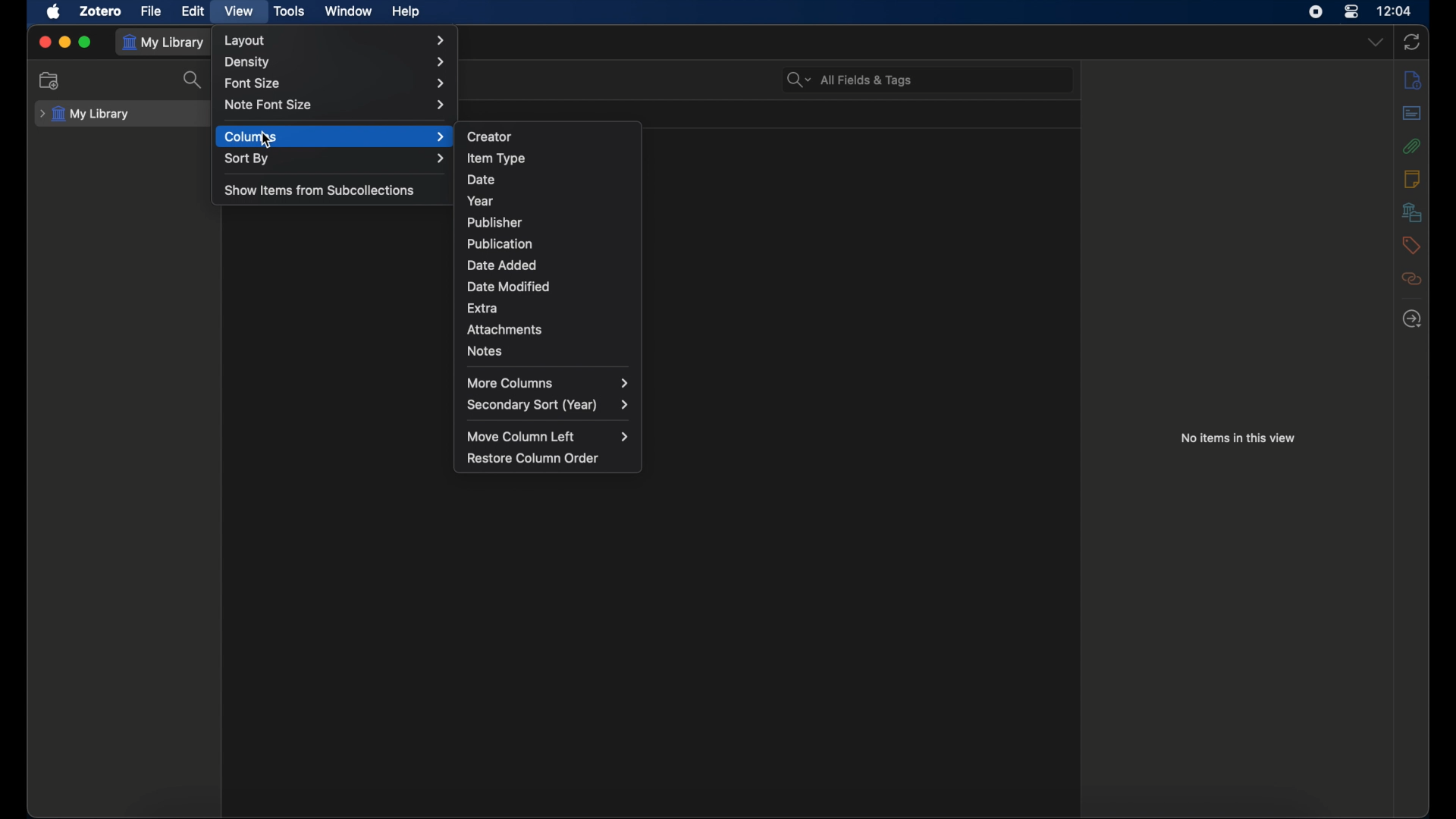 This screenshot has width=1456, height=819. What do you see at coordinates (481, 202) in the screenshot?
I see `year` at bounding box center [481, 202].